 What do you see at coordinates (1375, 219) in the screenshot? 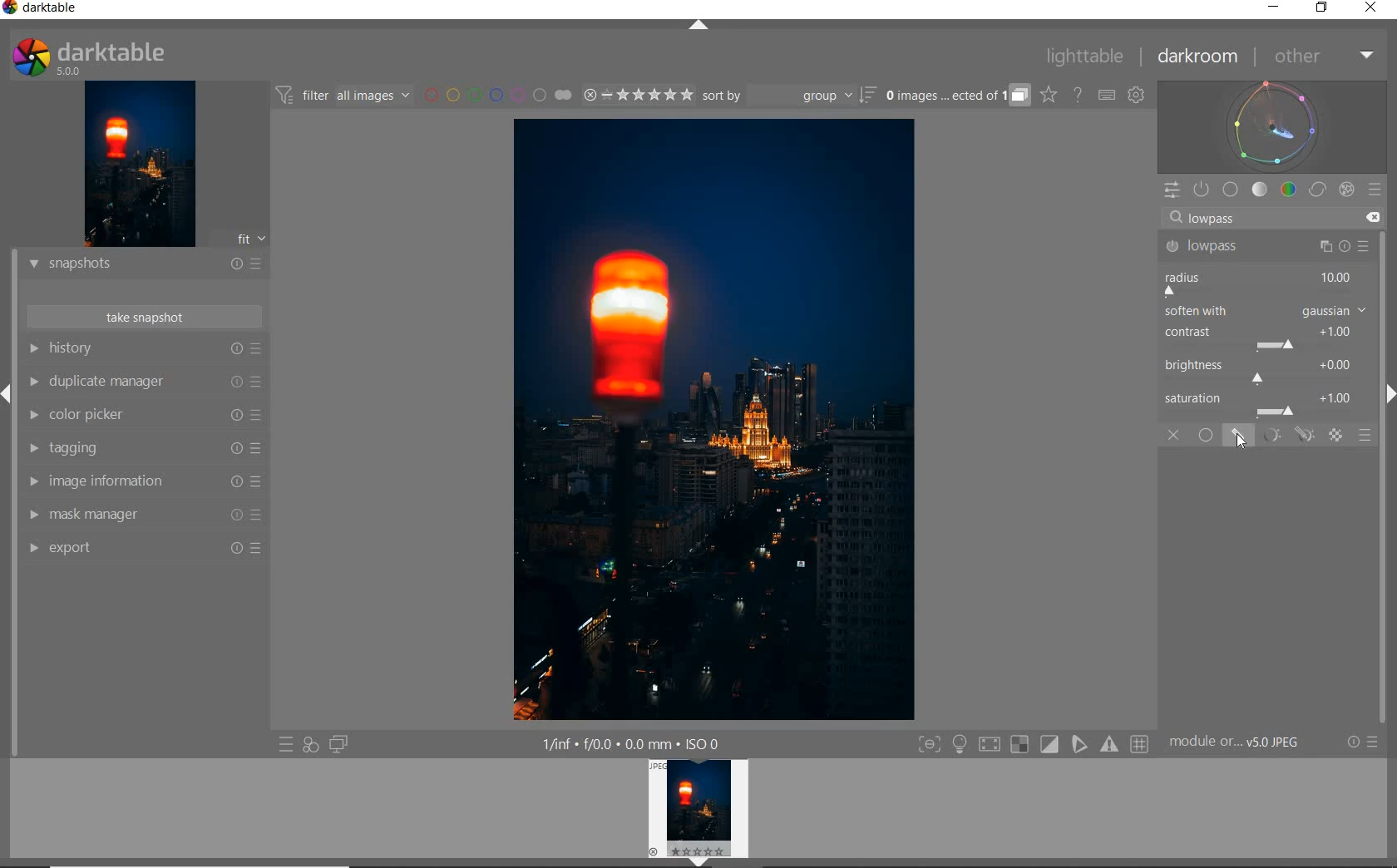
I see `DELETE` at bounding box center [1375, 219].